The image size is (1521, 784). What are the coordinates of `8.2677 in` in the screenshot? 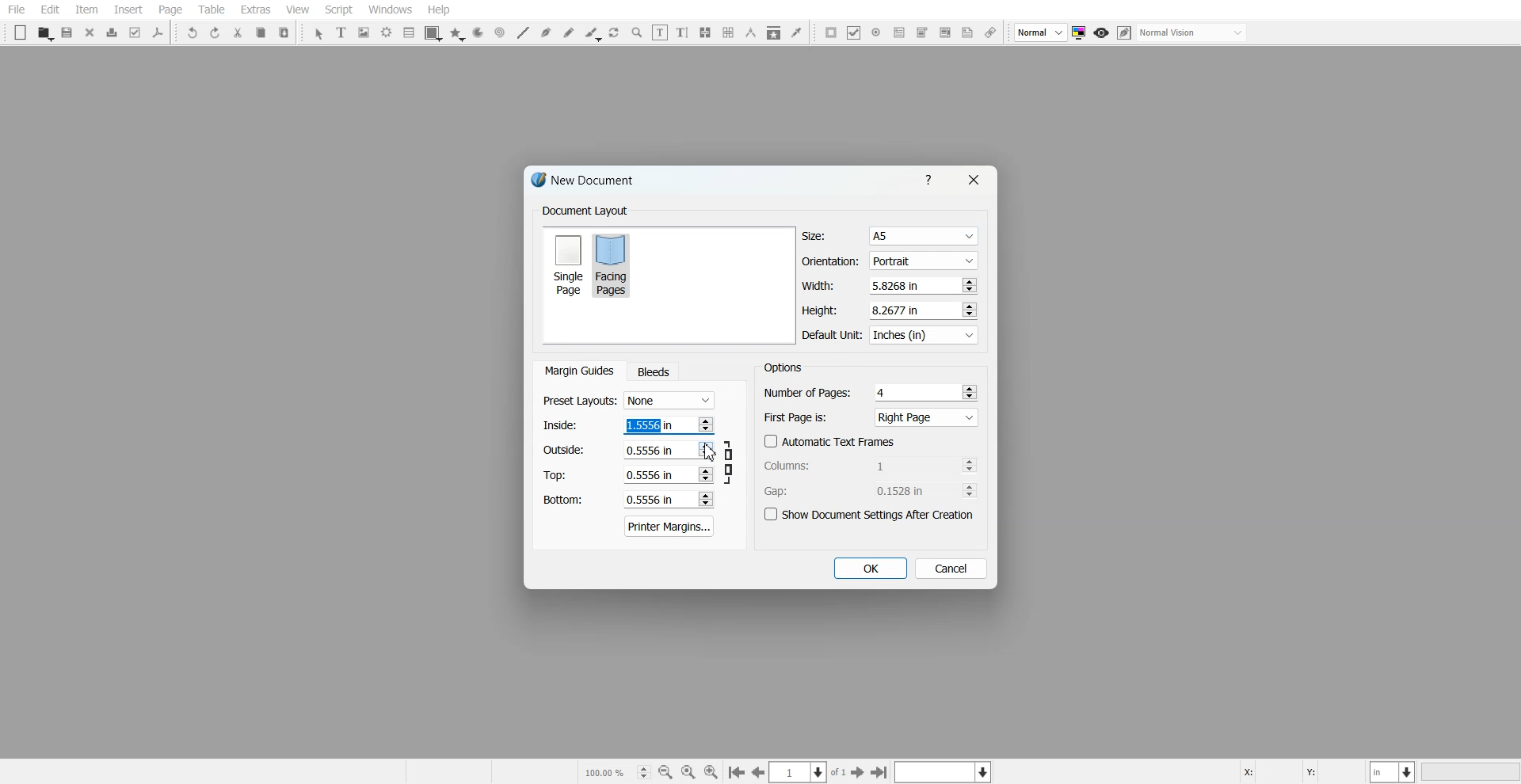 It's located at (900, 310).